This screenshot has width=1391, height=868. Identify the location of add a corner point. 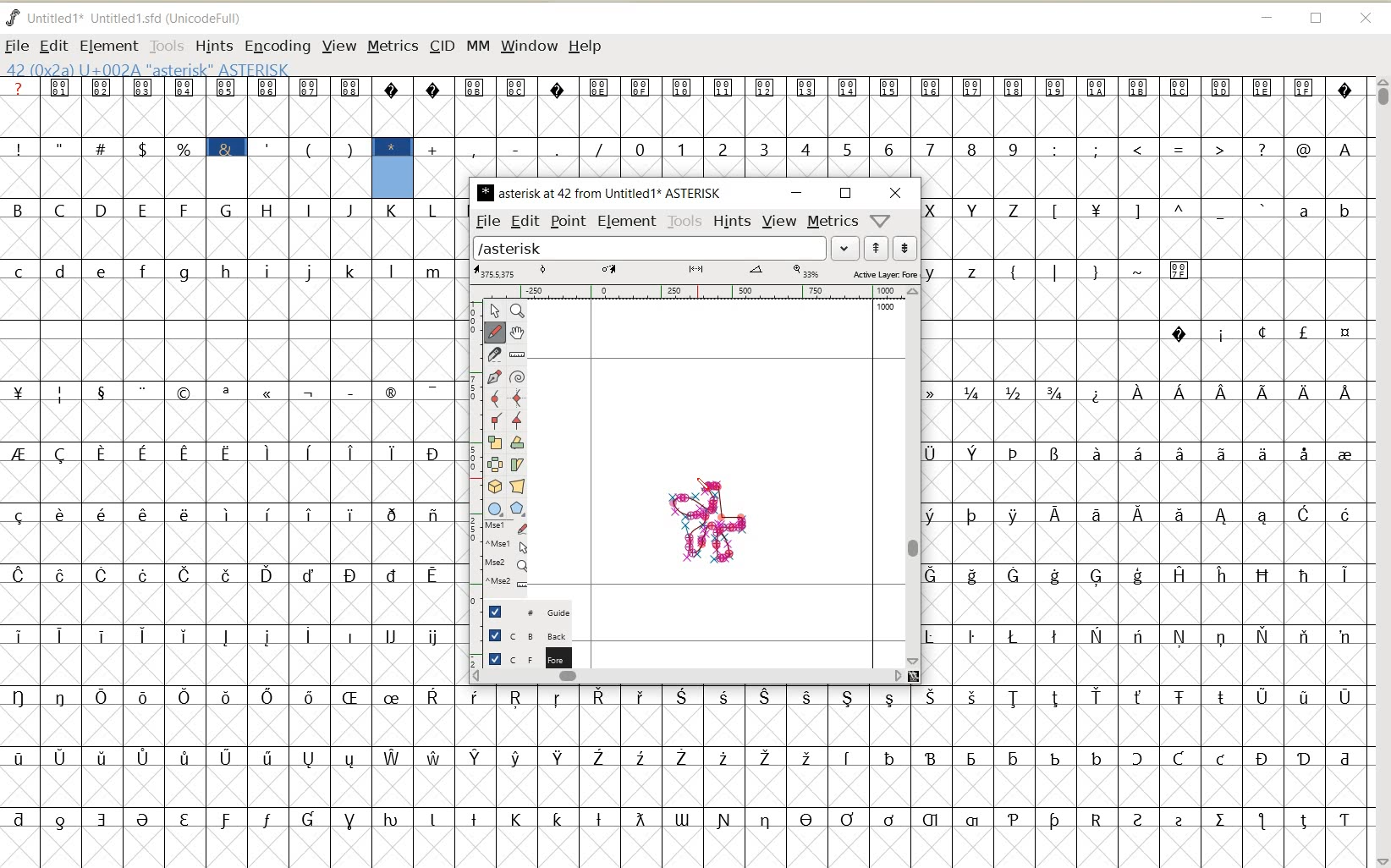
(495, 420).